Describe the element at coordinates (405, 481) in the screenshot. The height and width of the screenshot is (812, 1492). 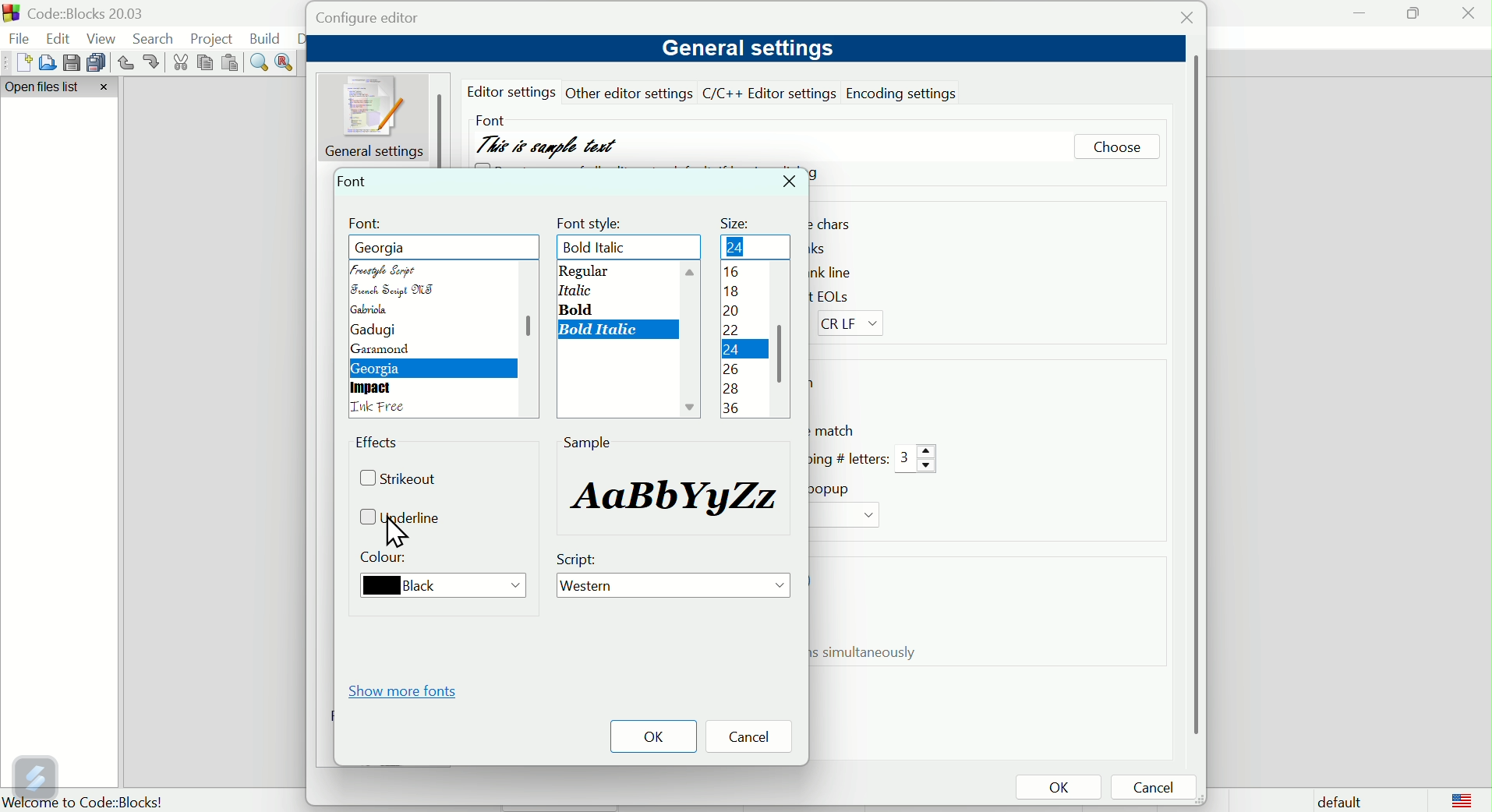
I see `Strike out` at that location.